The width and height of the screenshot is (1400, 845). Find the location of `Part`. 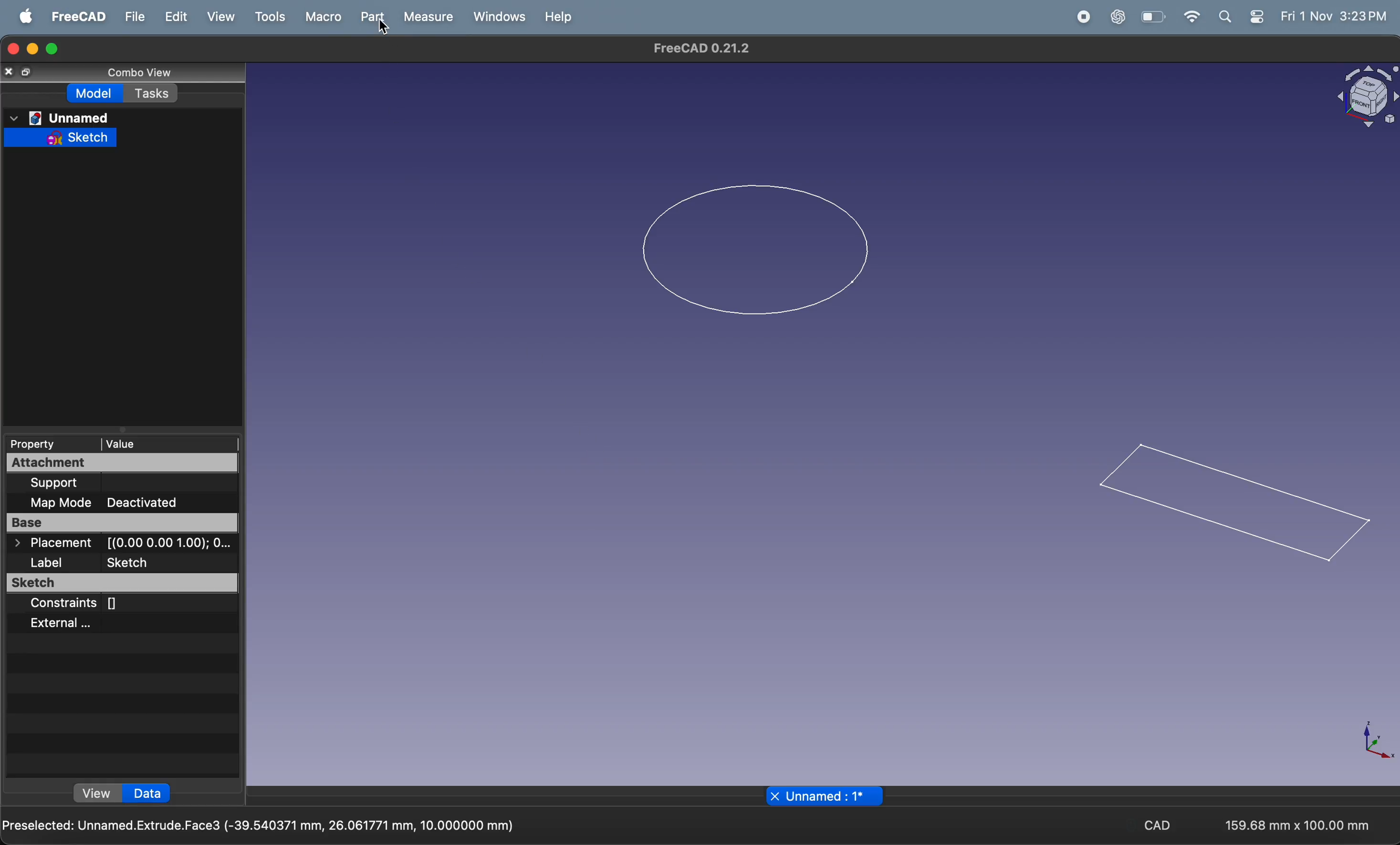

Part is located at coordinates (369, 16).